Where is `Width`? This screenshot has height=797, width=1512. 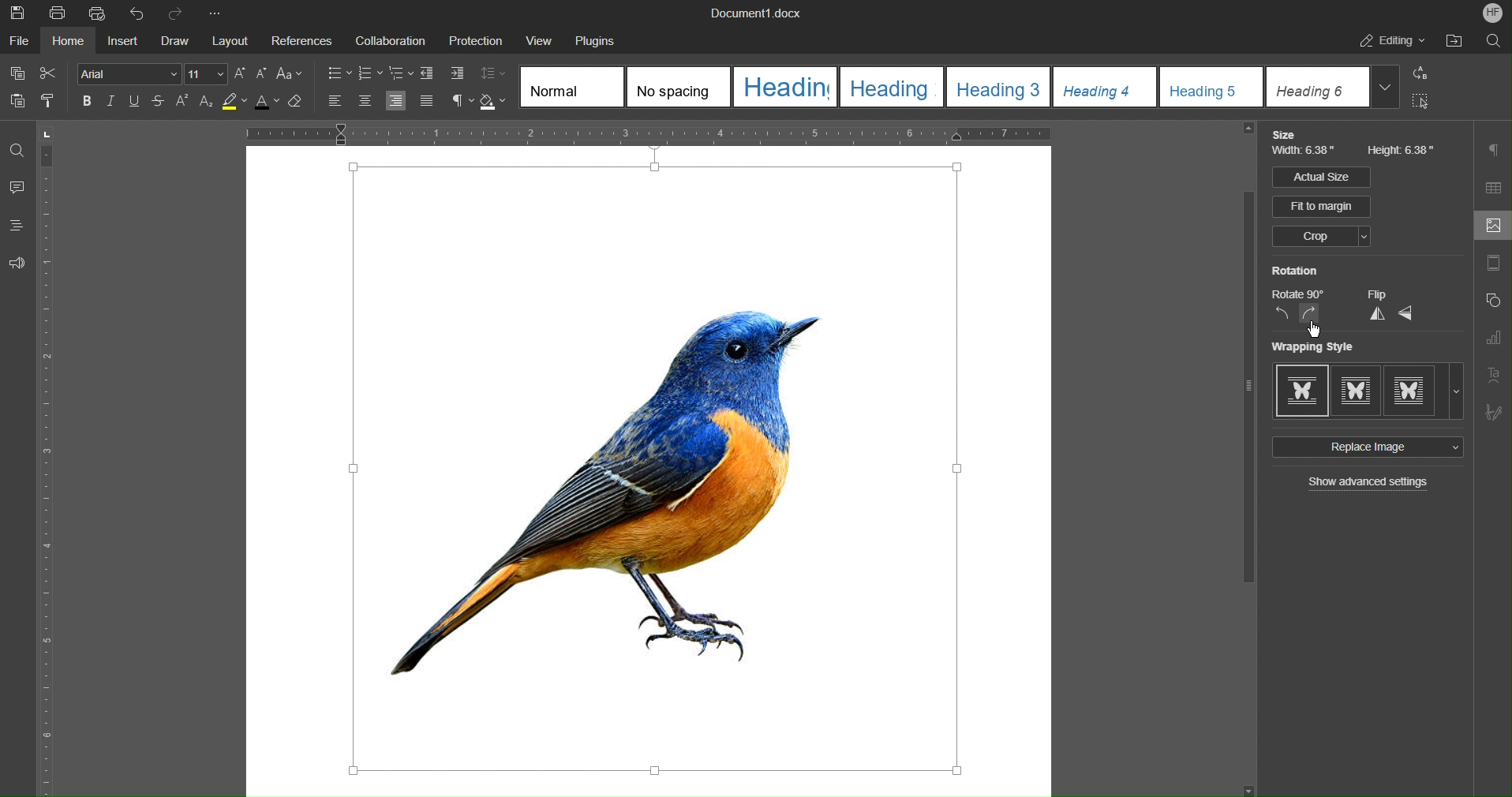
Width is located at coordinates (1304, 149).